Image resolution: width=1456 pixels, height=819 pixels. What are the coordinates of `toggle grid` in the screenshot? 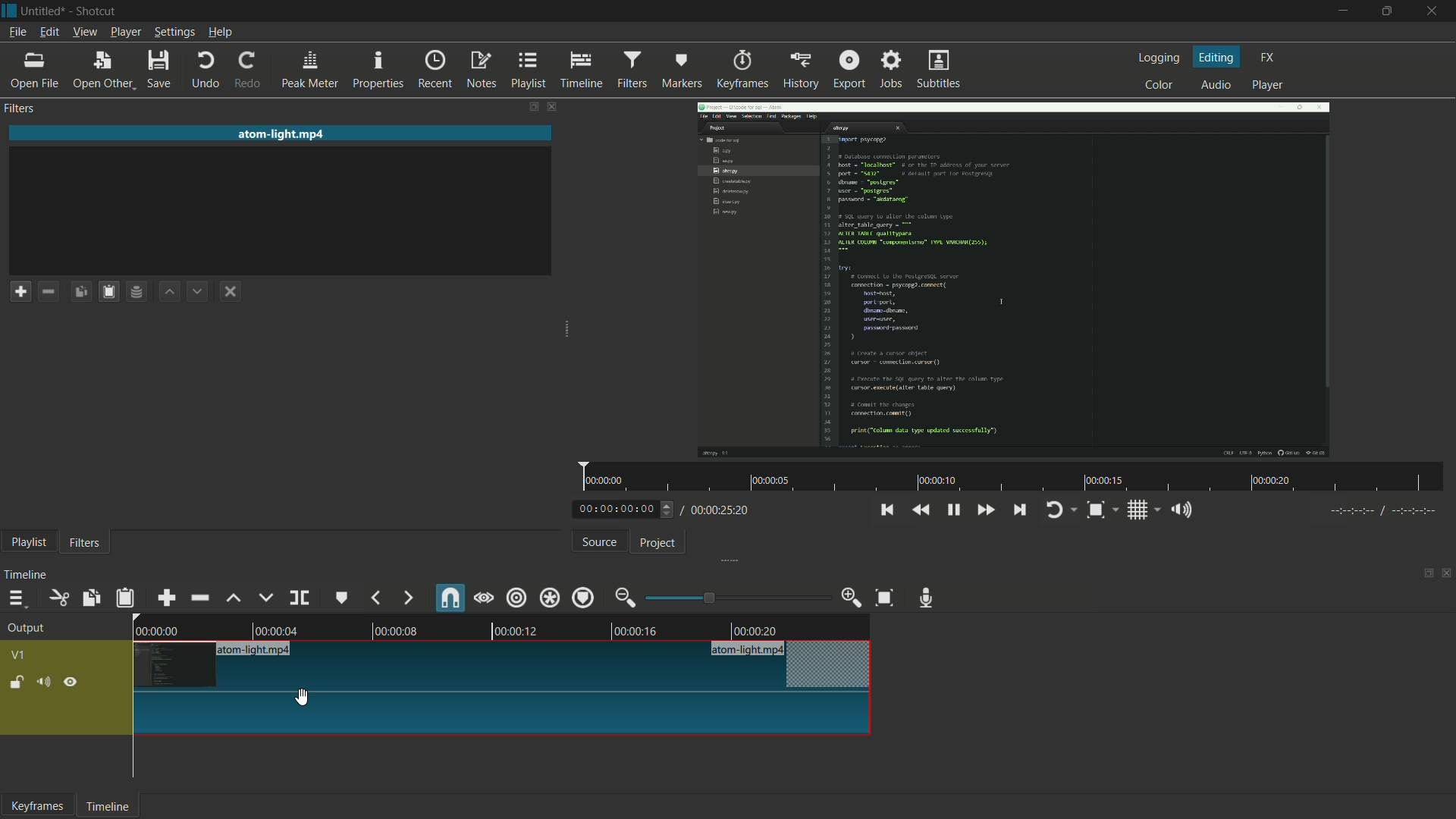 It's located at (1139, 510).